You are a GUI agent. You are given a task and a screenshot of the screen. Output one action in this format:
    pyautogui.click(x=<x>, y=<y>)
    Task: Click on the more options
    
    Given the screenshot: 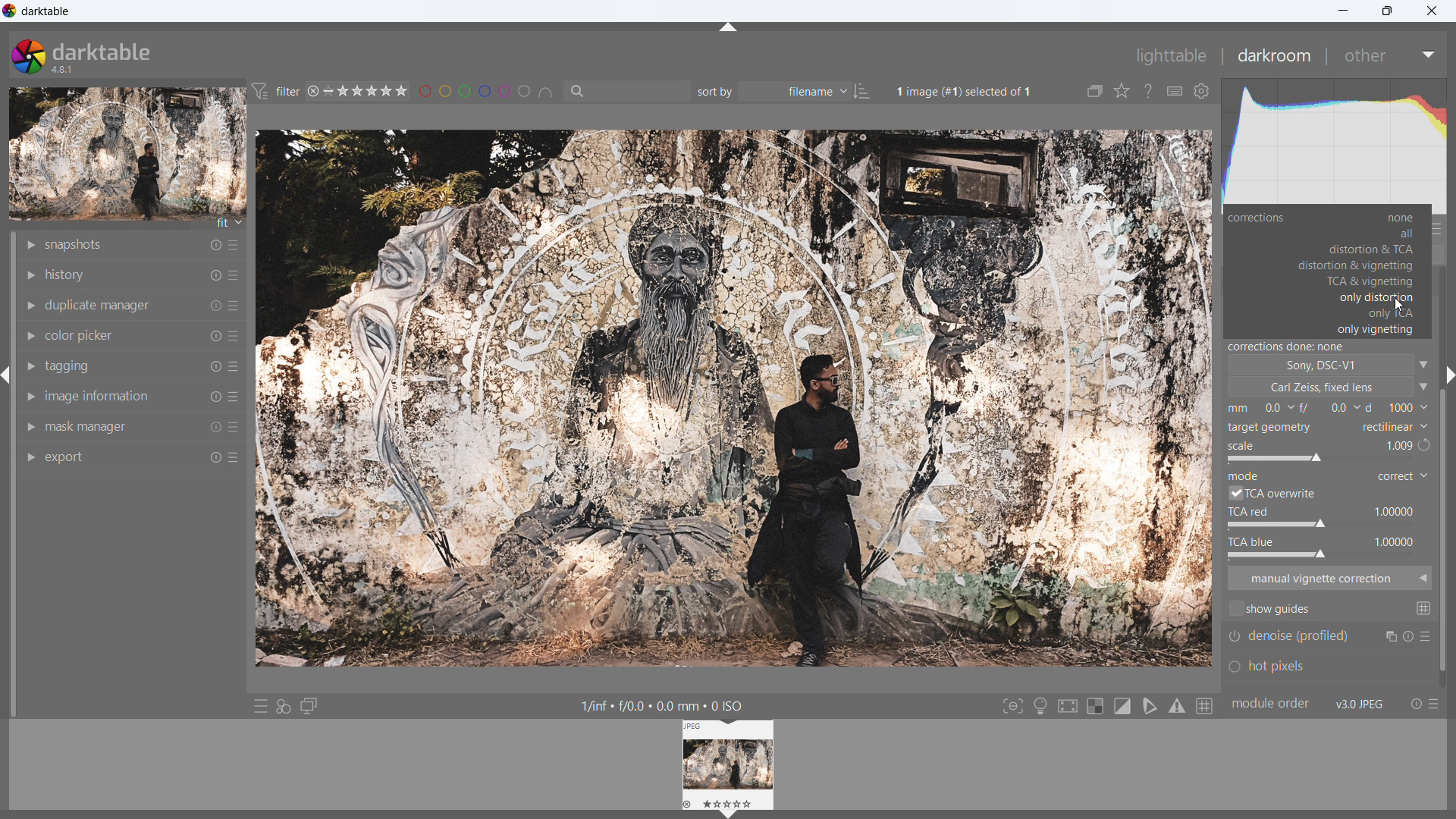 What is the action you would take?
    pyautogui.click(x=235, y=245)
    